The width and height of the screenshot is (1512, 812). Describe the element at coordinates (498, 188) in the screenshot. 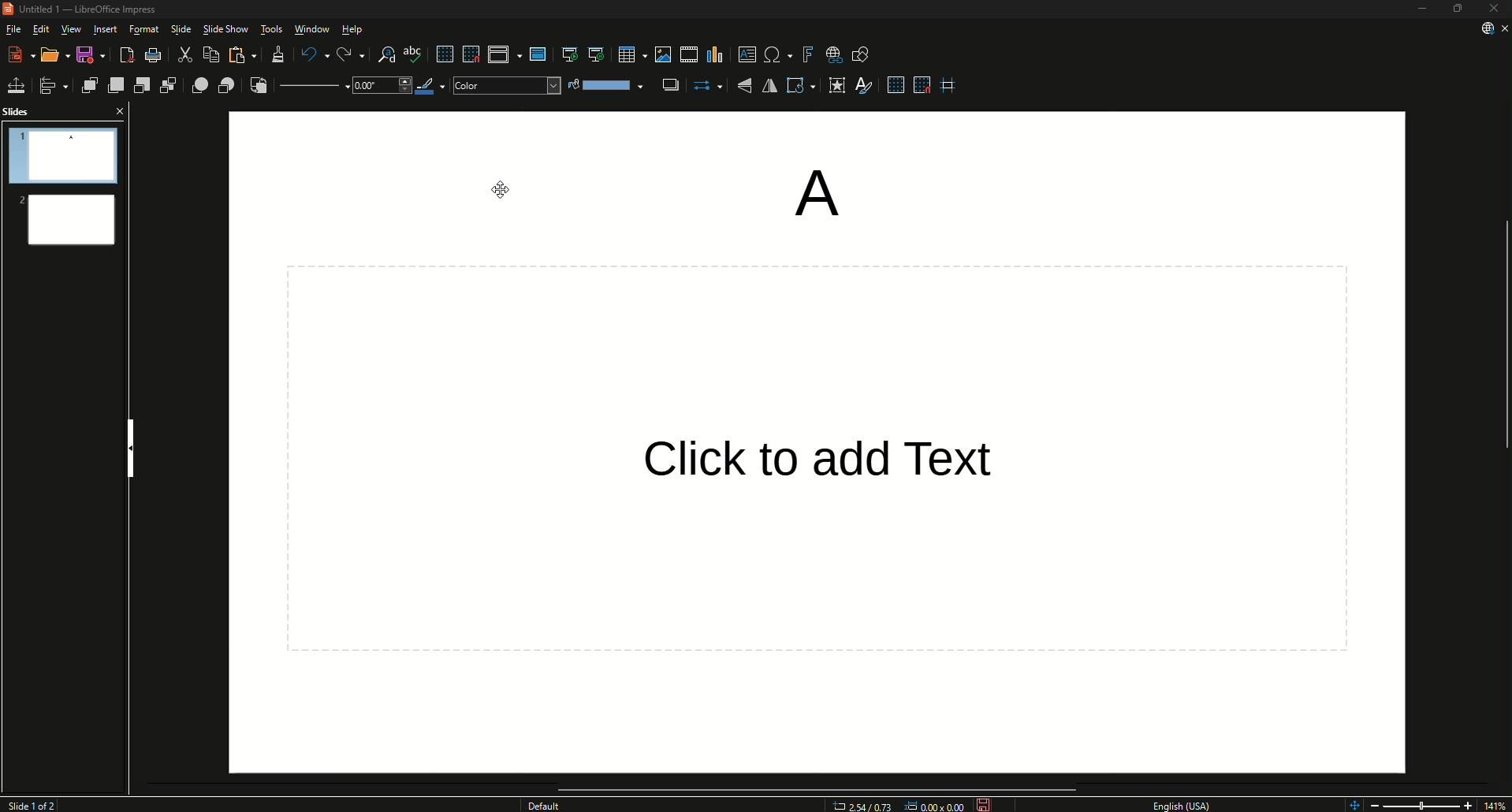

I see `Mouse` at that location.